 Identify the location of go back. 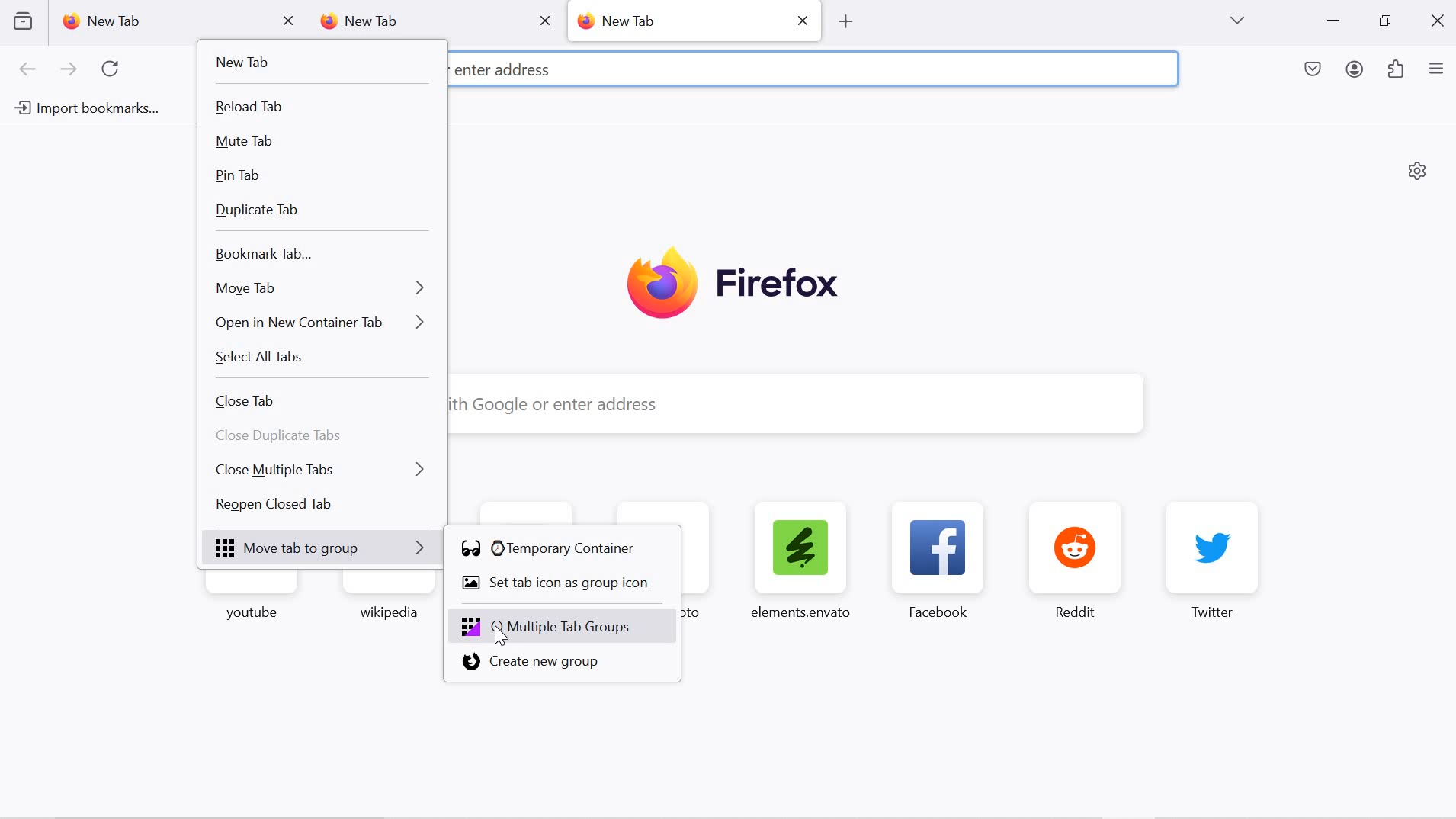
(28, 70).